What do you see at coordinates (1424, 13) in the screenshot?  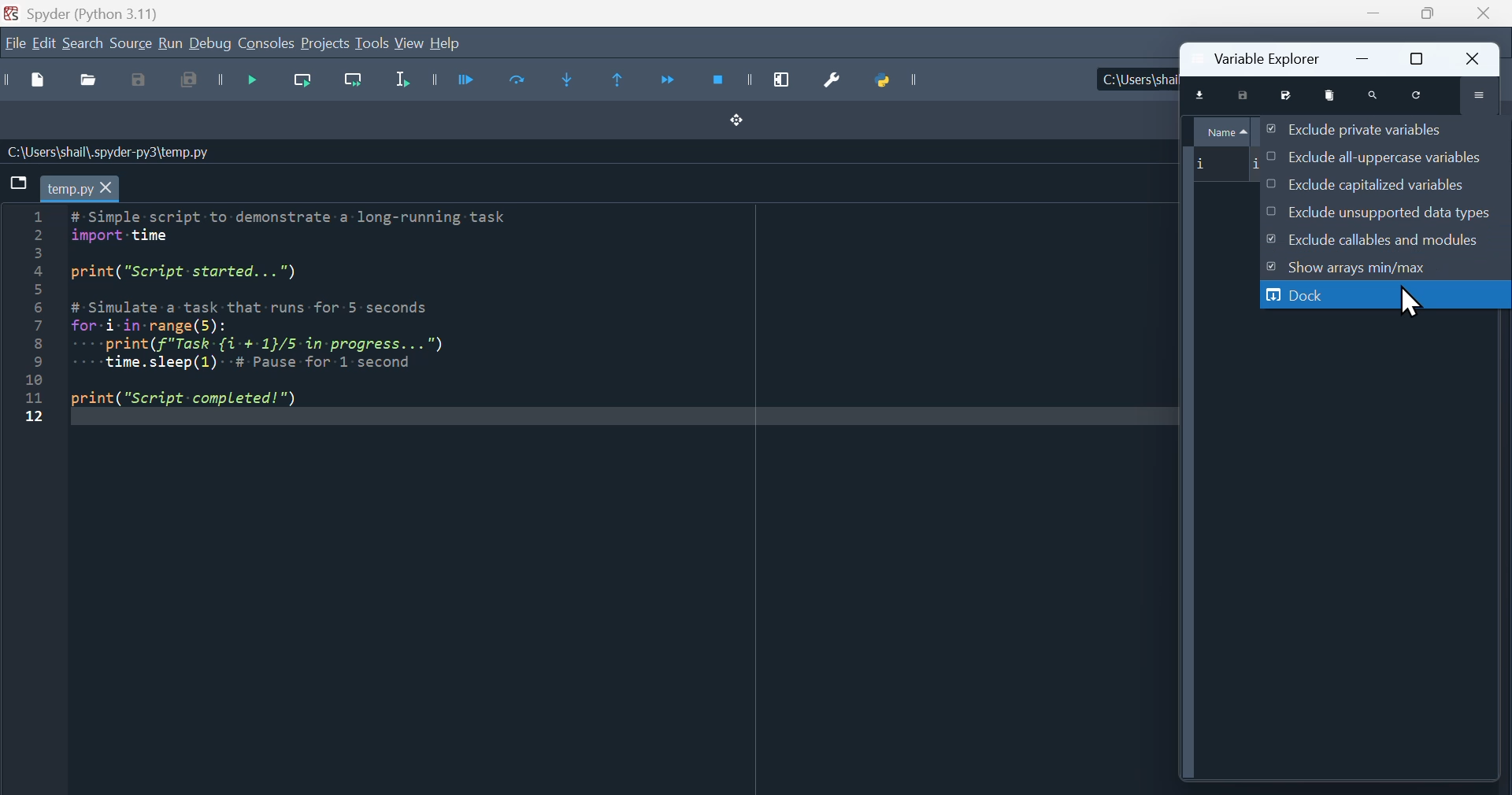 I see `Maximise` at bounding box center [1424, 13].